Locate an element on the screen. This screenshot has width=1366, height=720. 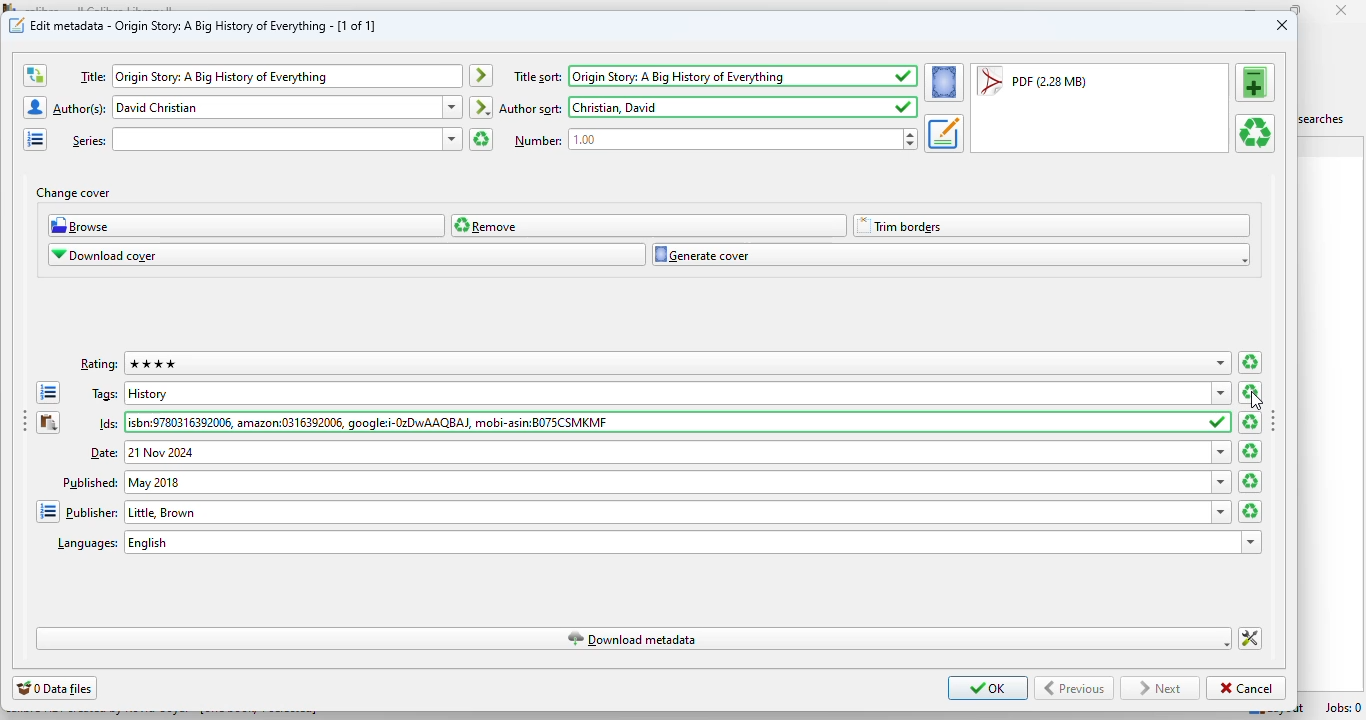
clear date is located at coordinates (1251, 482).